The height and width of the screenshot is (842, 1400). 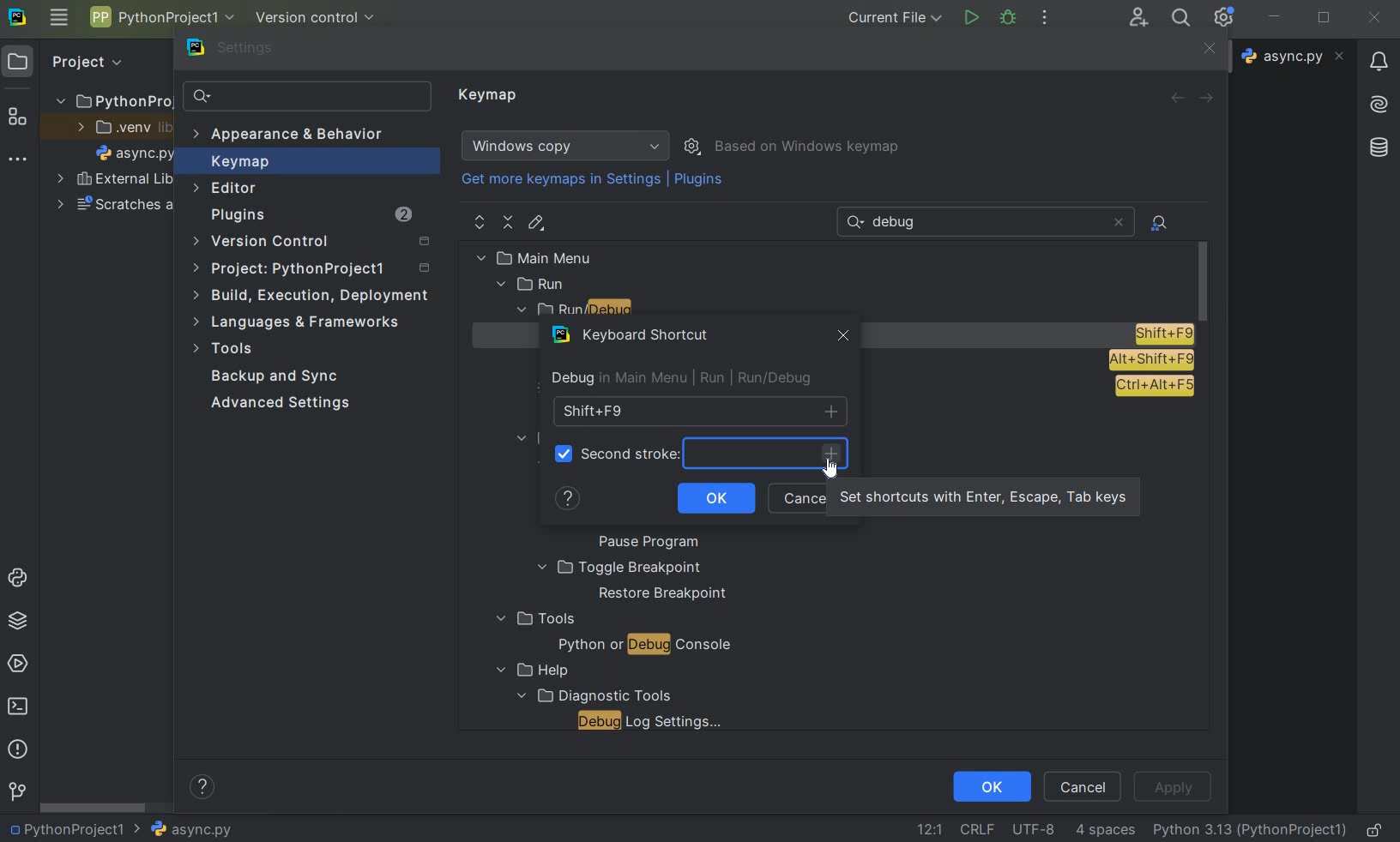 What do you see at coordinates (1151, 360) in the screenshot?
I see `AIt+Shift+F9` at bounding box center [1151, 360].